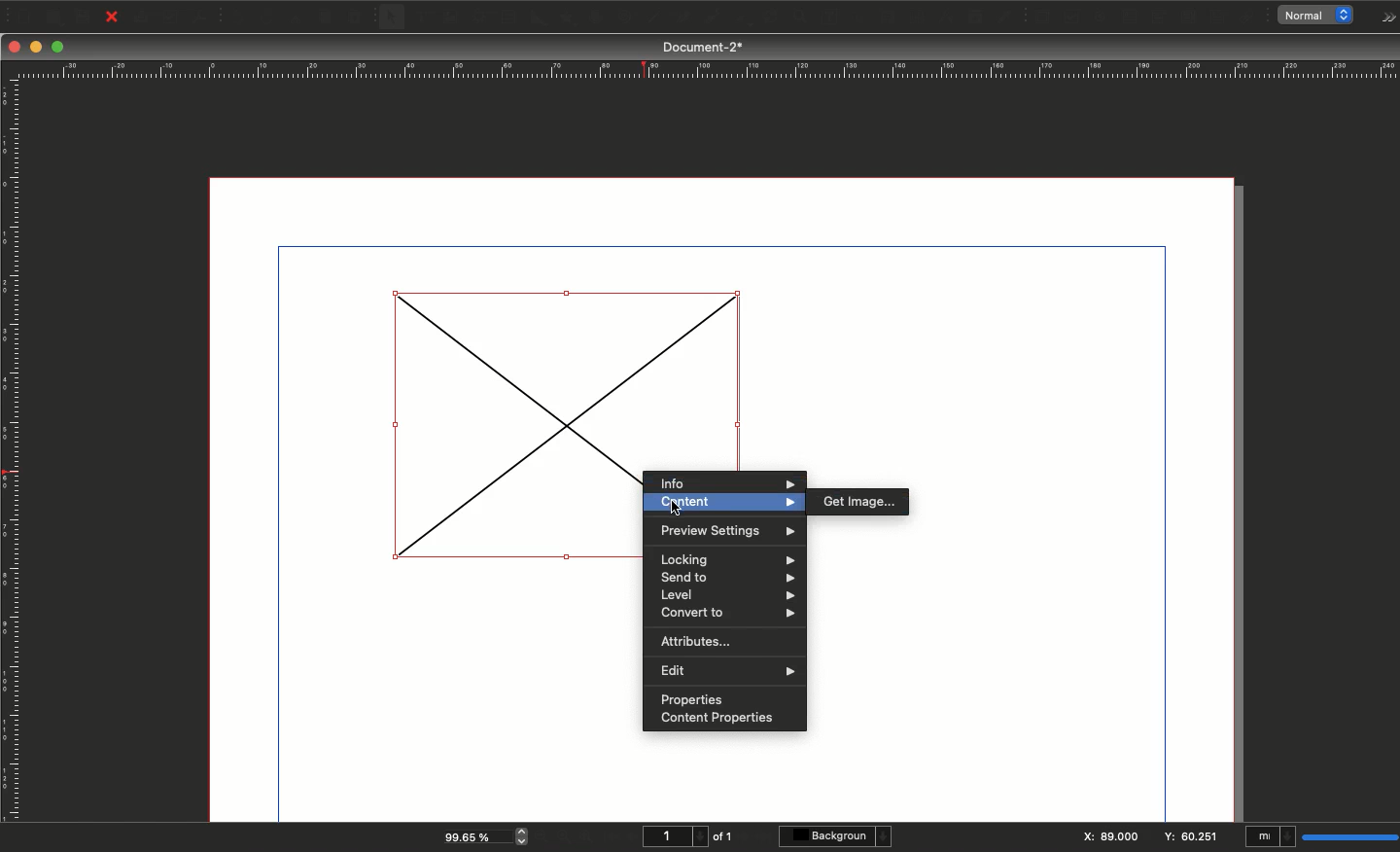 The height and width of the screenshot is (852, 1400). I want to click on Background, so click(838, 836).